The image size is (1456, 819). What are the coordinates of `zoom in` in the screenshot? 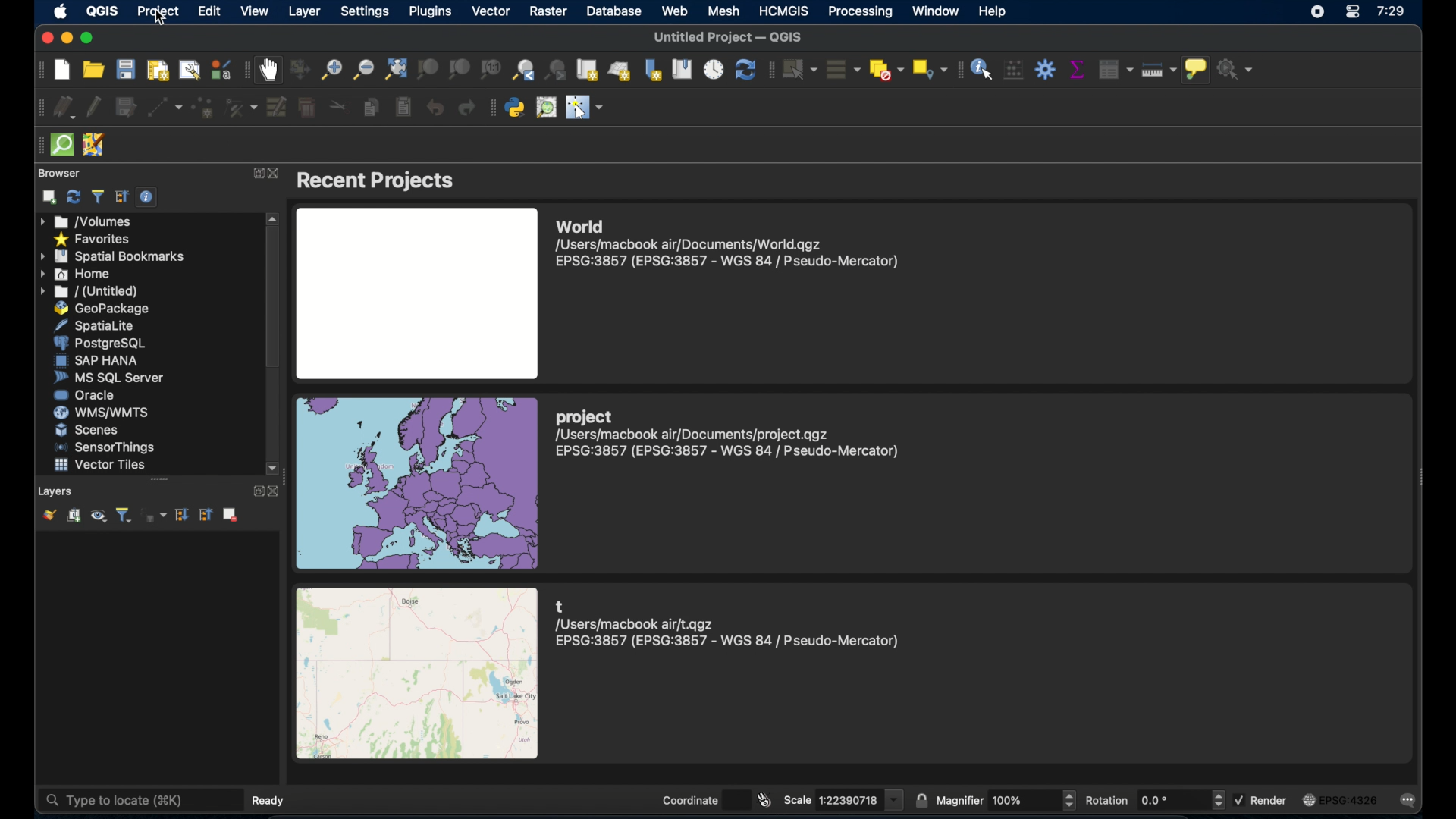 It's located at (329, 69).